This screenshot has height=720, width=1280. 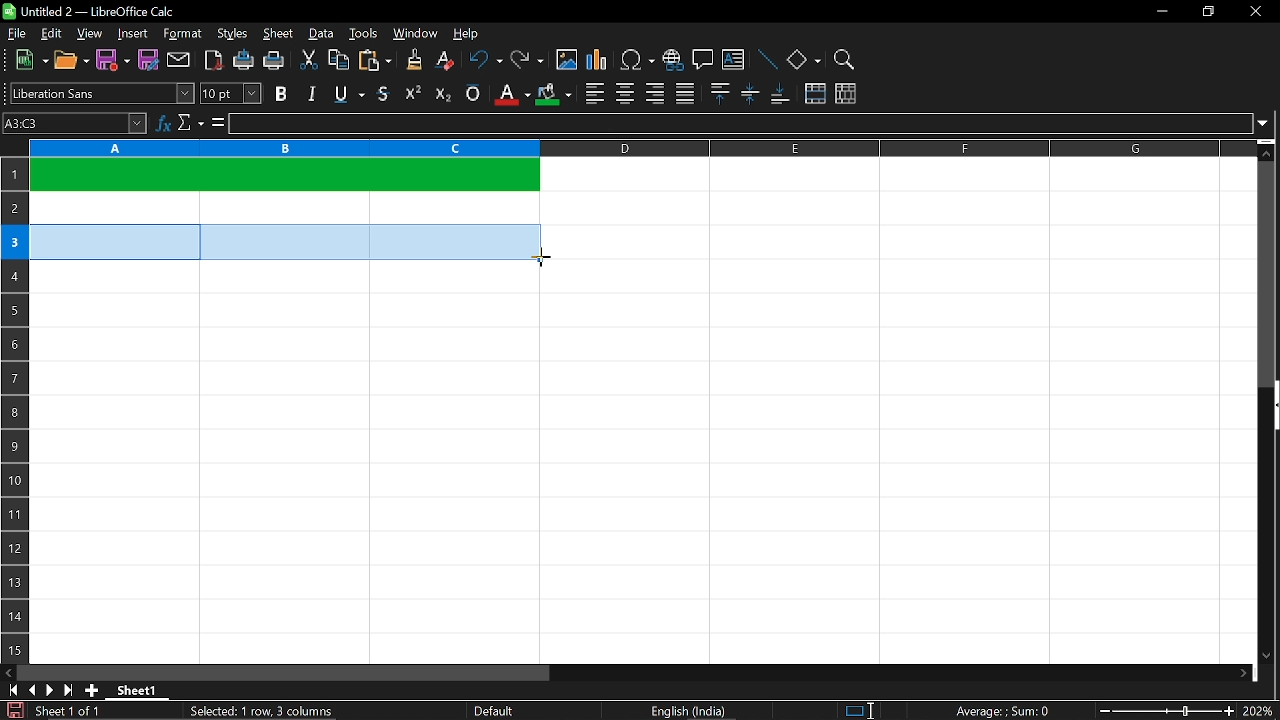 I want to click on next sheet, so click(x=48, y=690).